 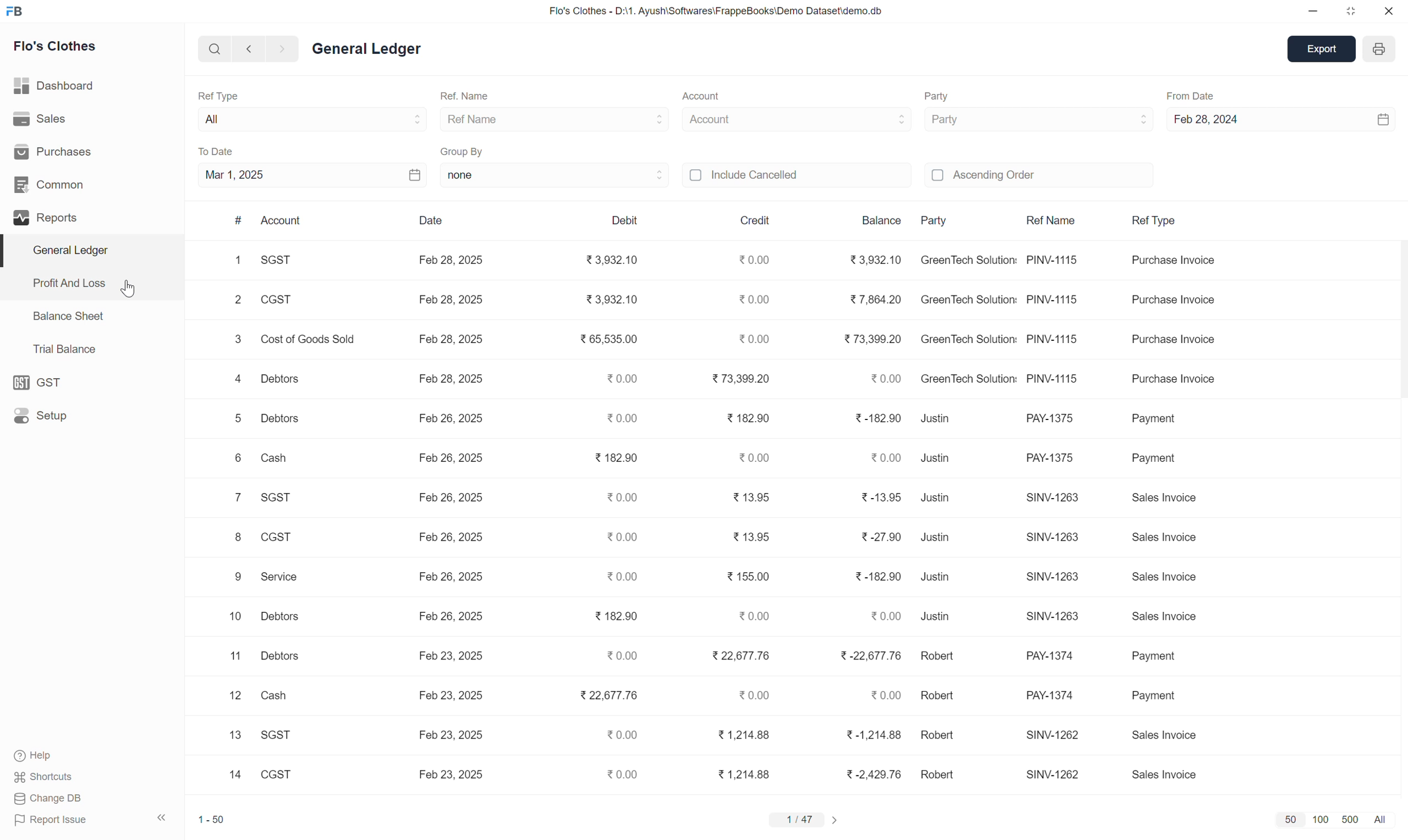 I want to click on Ref Name, so click(x=1059, y=224).